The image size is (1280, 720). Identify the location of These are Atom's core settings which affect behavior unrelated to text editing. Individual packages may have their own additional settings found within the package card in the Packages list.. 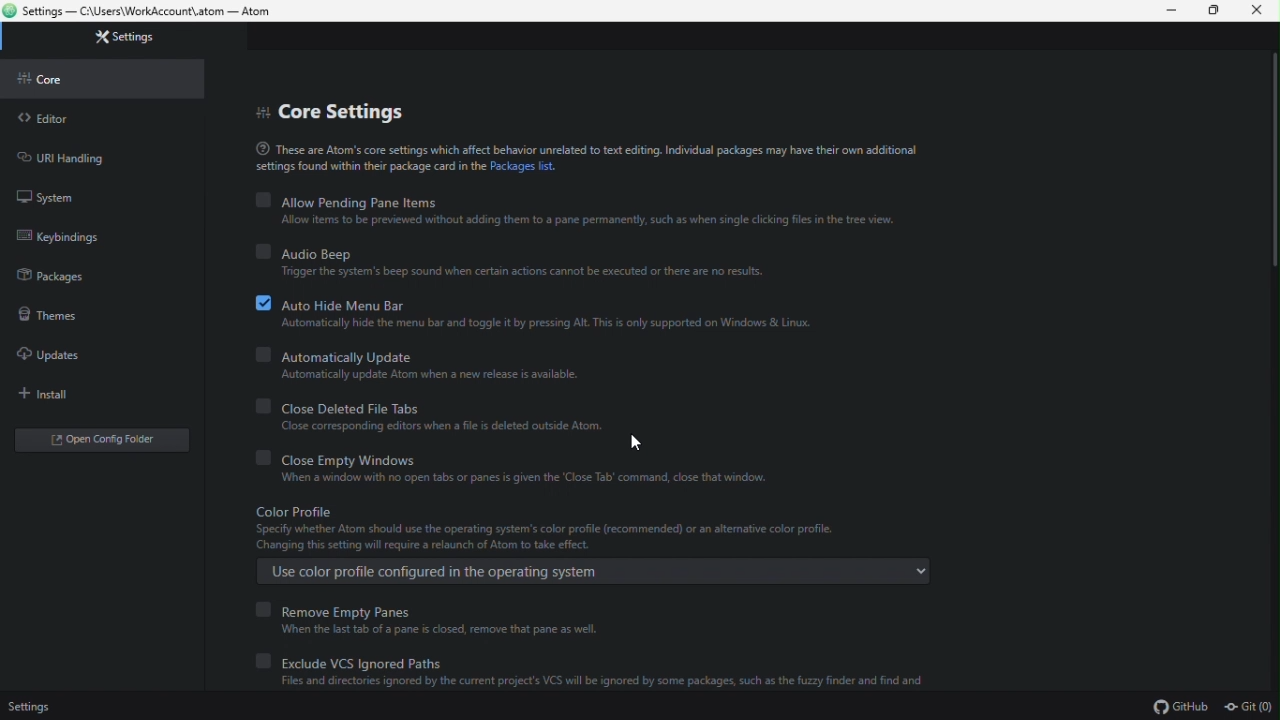
(576, 159).